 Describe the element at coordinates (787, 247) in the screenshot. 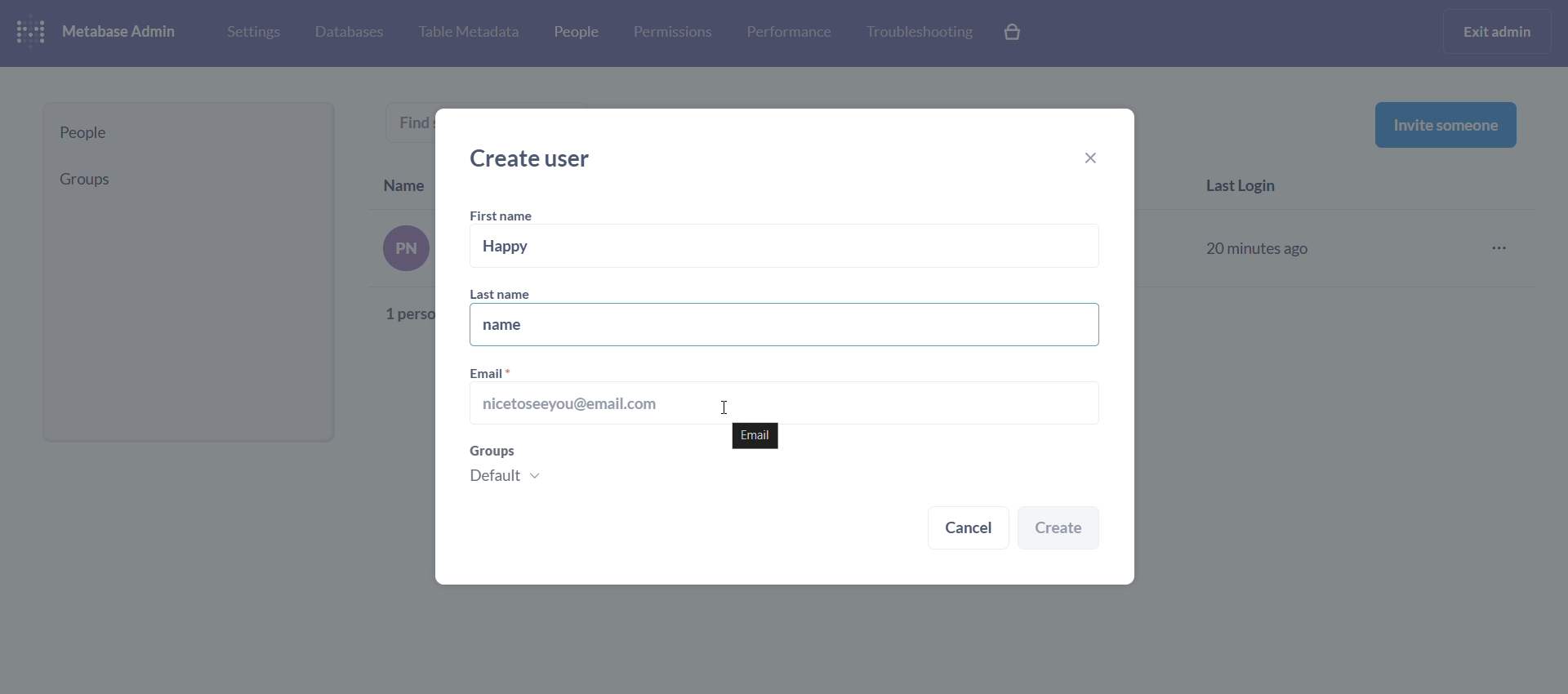

I see `happy` at that location.